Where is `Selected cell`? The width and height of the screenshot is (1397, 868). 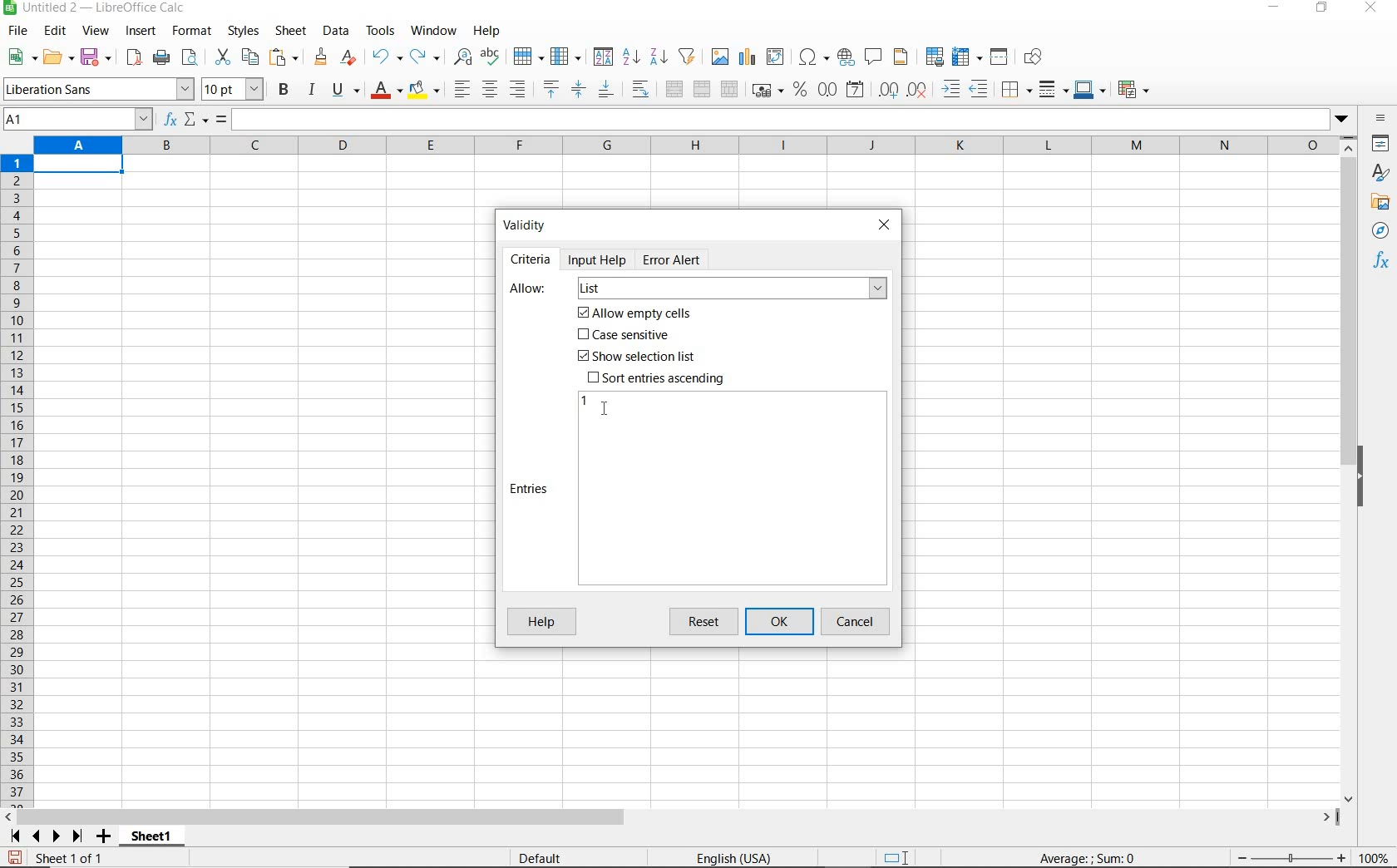
Selected cell is located at coordinates (78, 165).